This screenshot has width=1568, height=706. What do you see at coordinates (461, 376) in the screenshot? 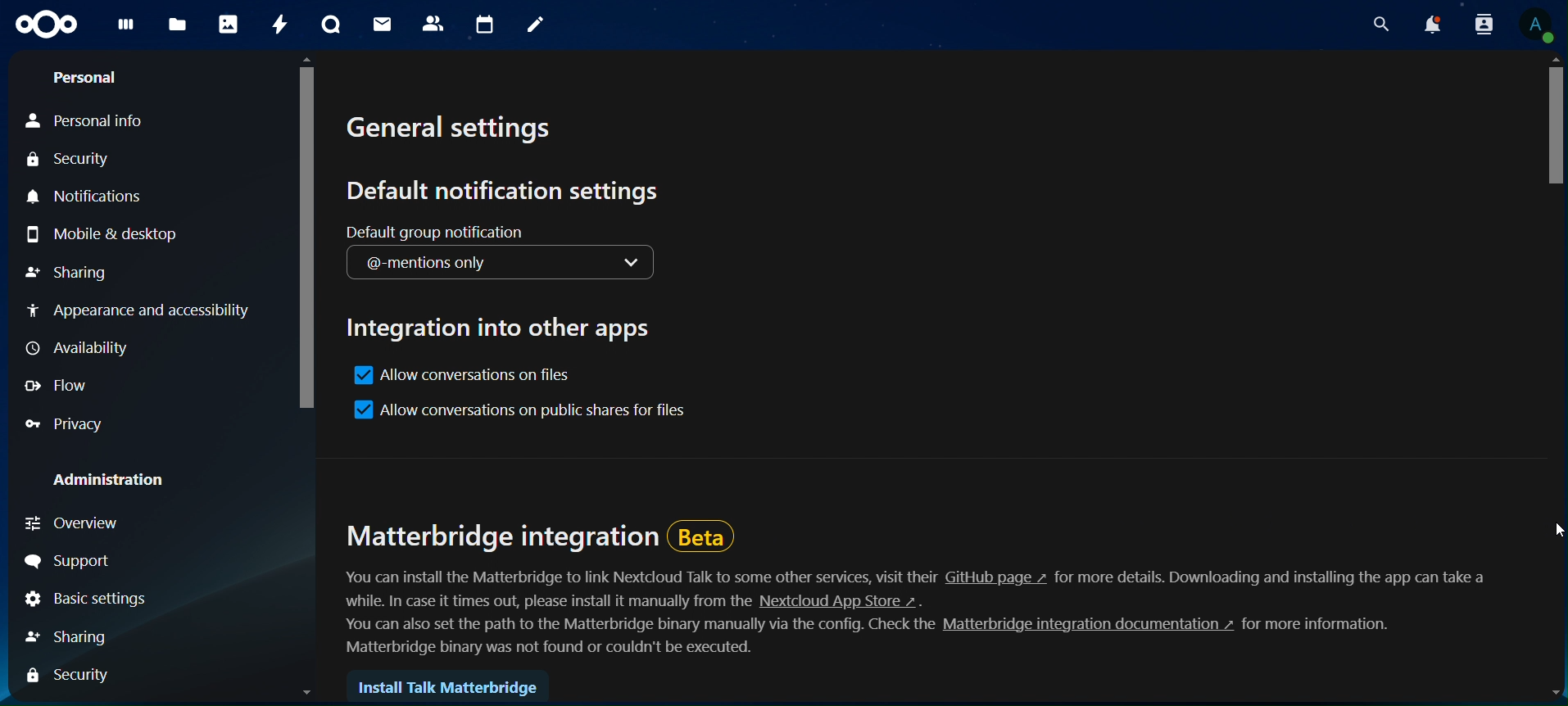
I see `allow conversation on files` at bounding box center [461, 376].